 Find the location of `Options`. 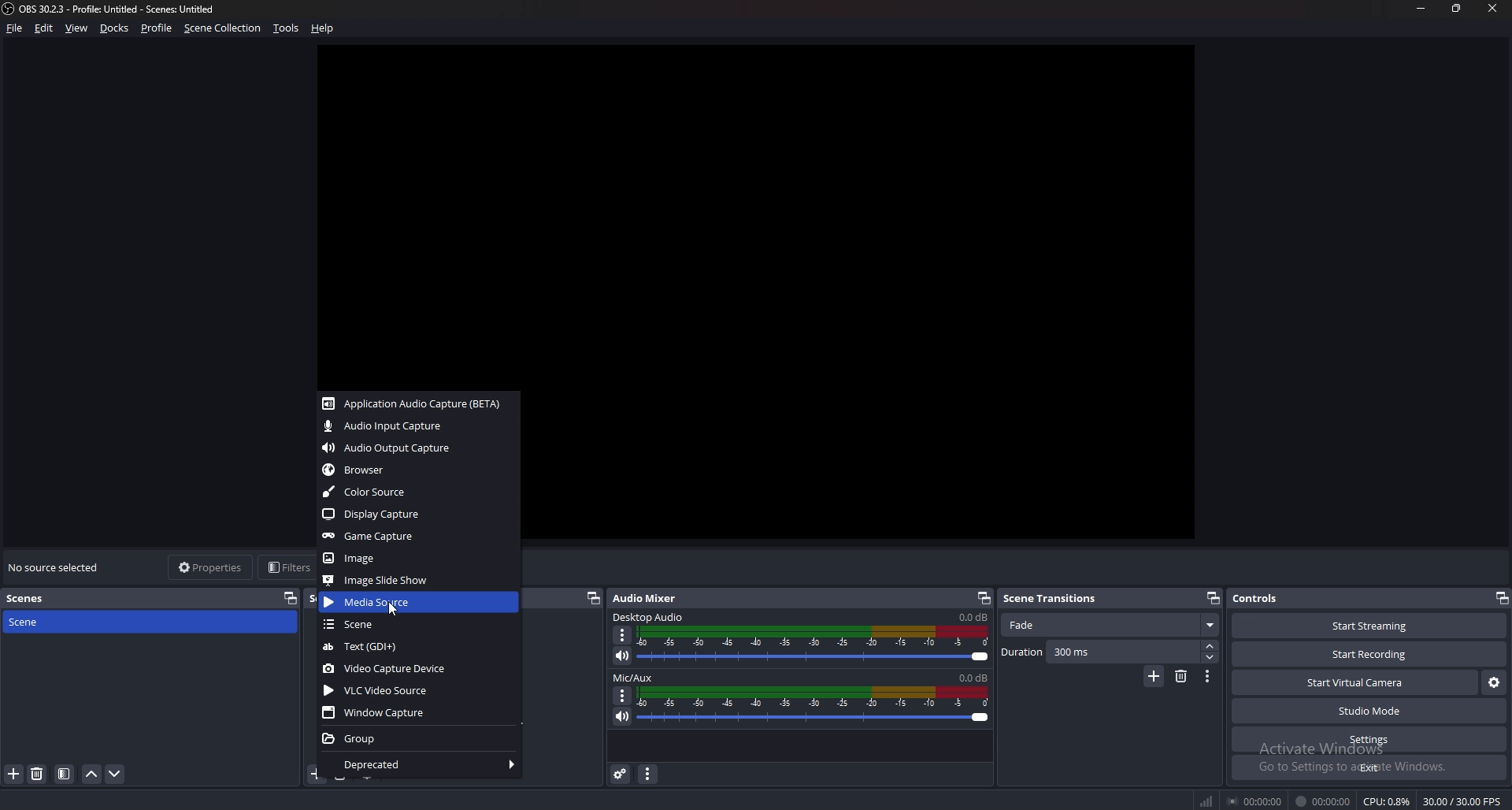

Options is located at coordinates (623, 695).